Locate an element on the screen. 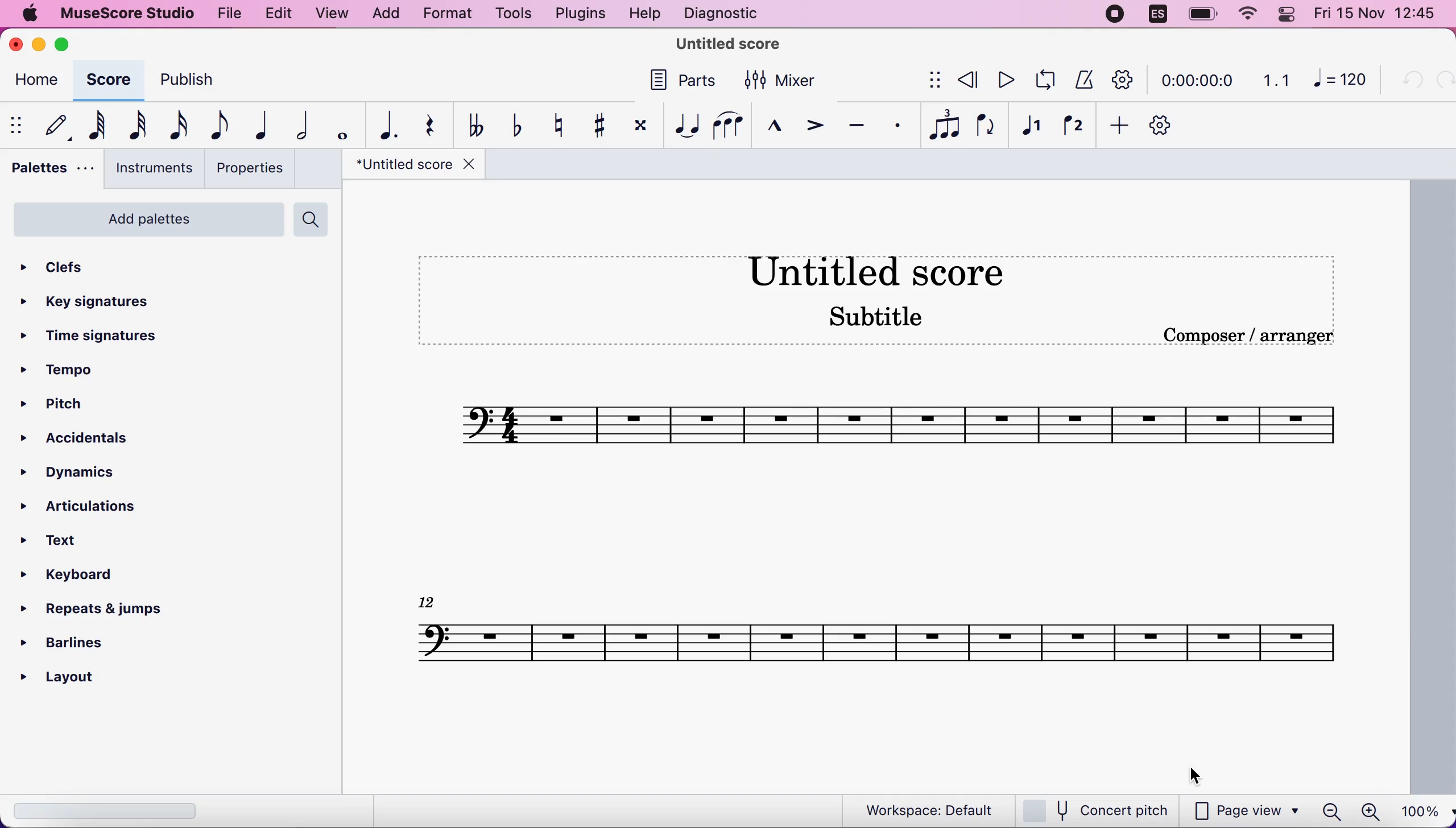 This screenshot has height=828, width=1456. recording stopped is located at coordinates (1114, 14).